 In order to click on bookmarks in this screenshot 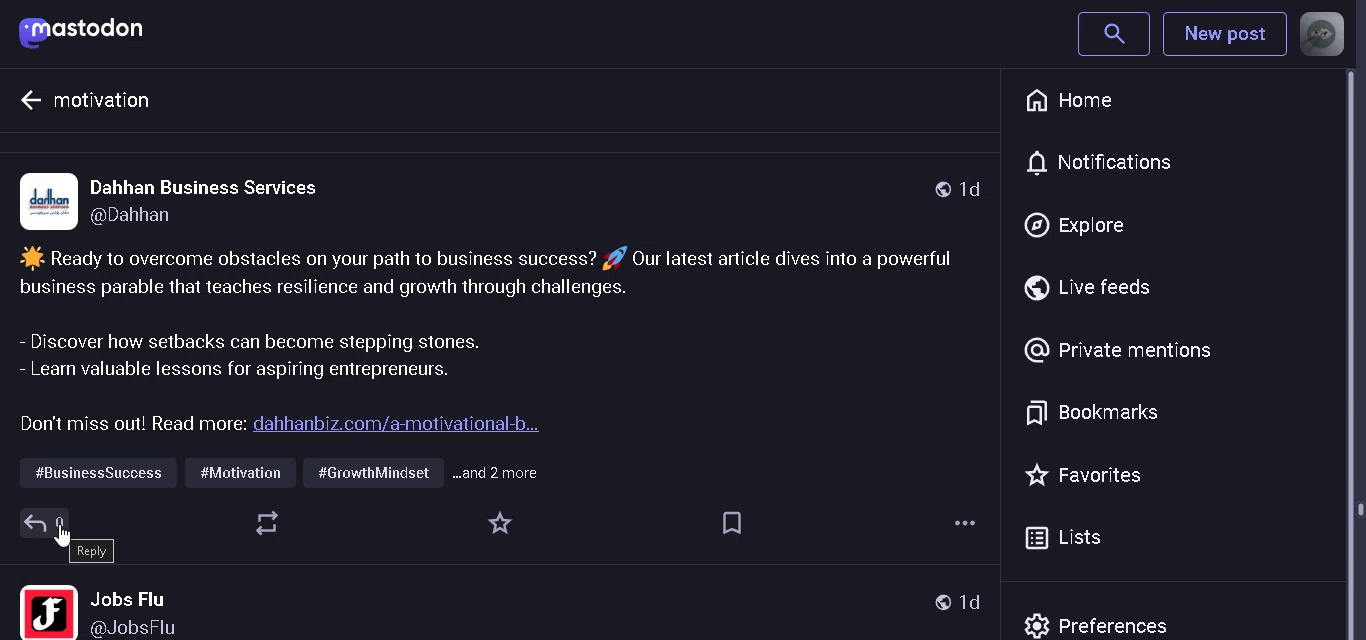, I will do `click(1092, 411)`.